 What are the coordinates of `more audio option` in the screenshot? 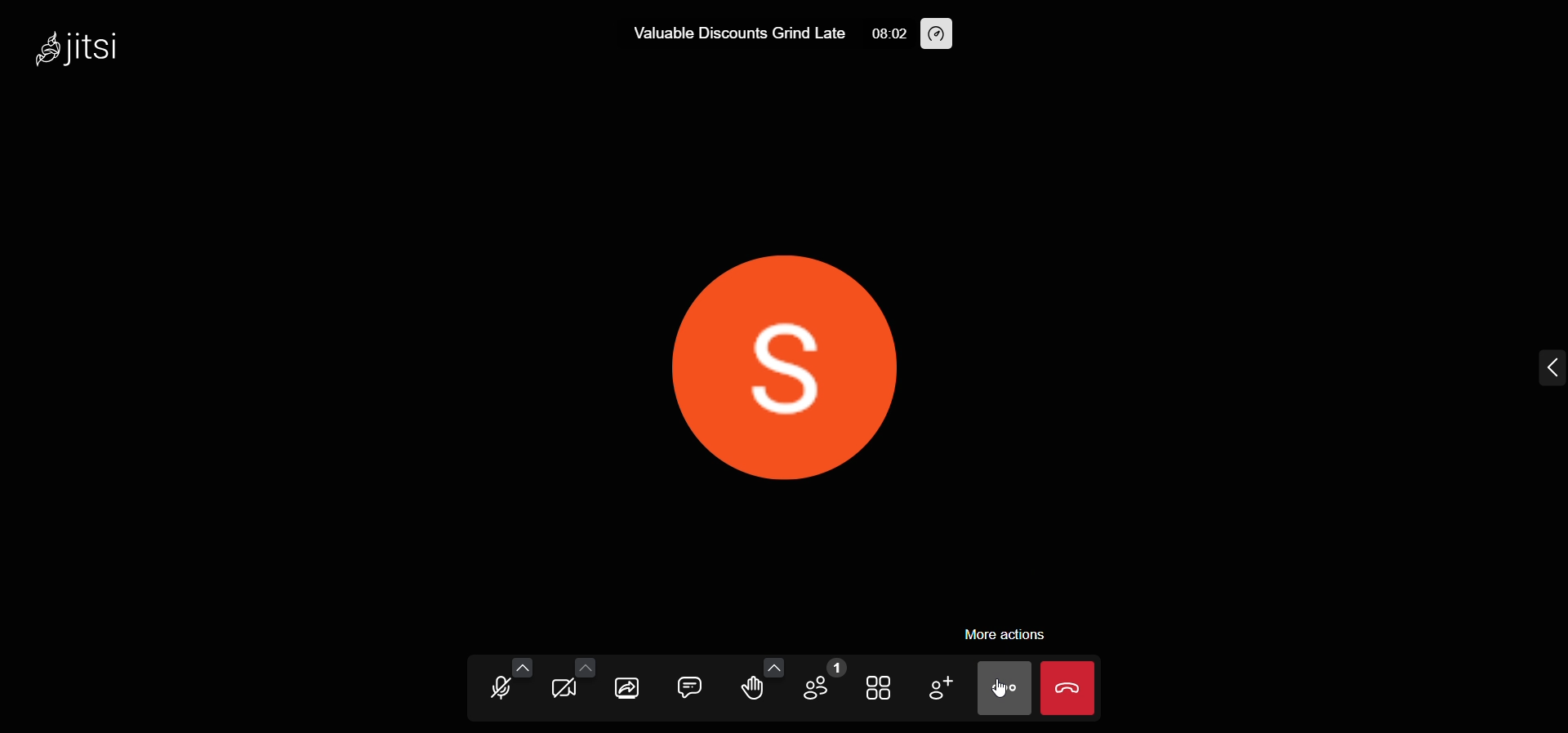 It's located at (519, 668).